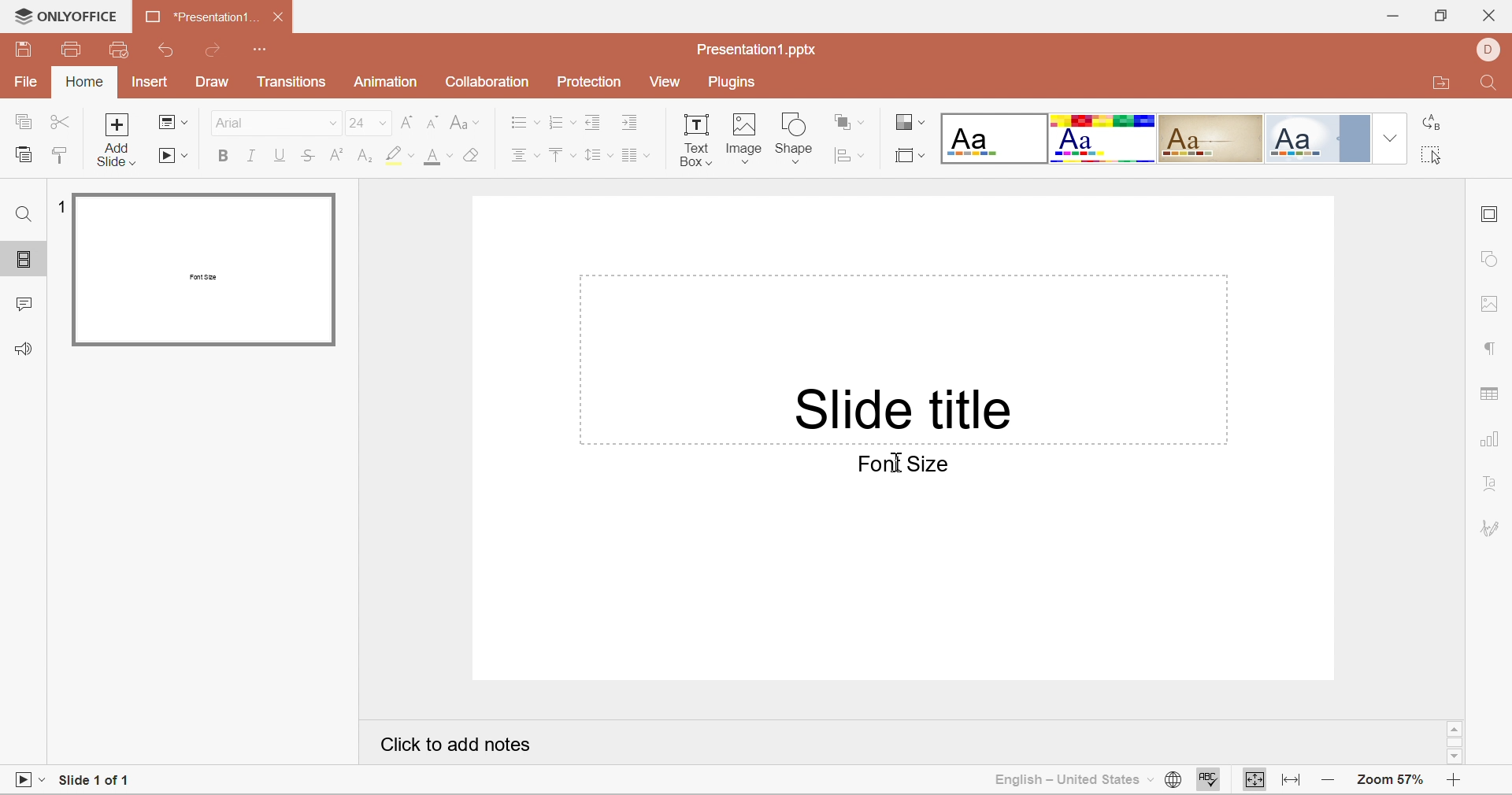 The height and width of the screenshot is (795, 1512). What do you see at coordinates (224, 156) in the screenshot?
I see `Bold` at bounding box center [224, 156].